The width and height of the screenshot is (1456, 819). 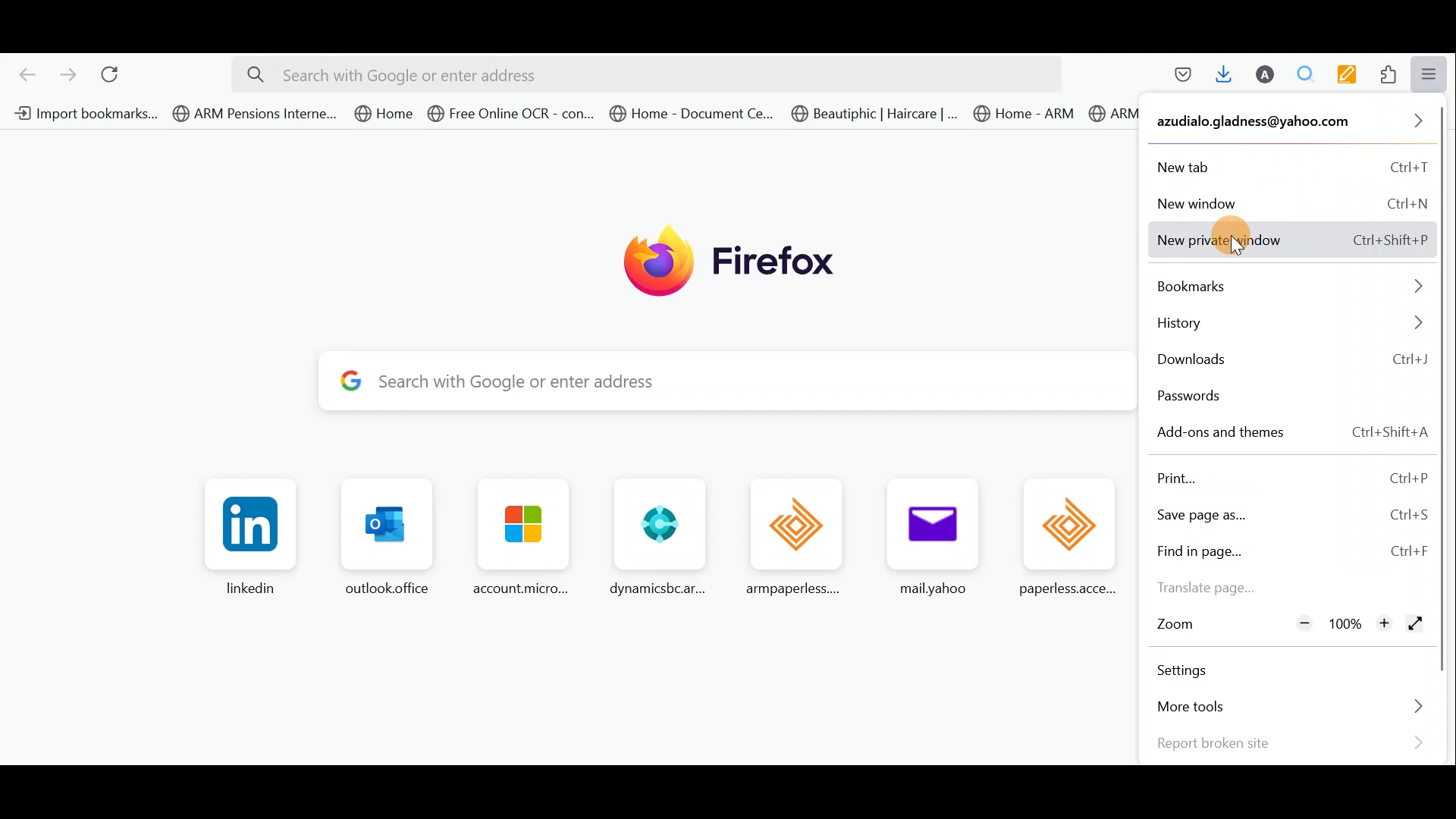 What do you see at coordinates (1434, 74) in the screenshot?
I see `Open application menu` at bounding box center [1434, 74].